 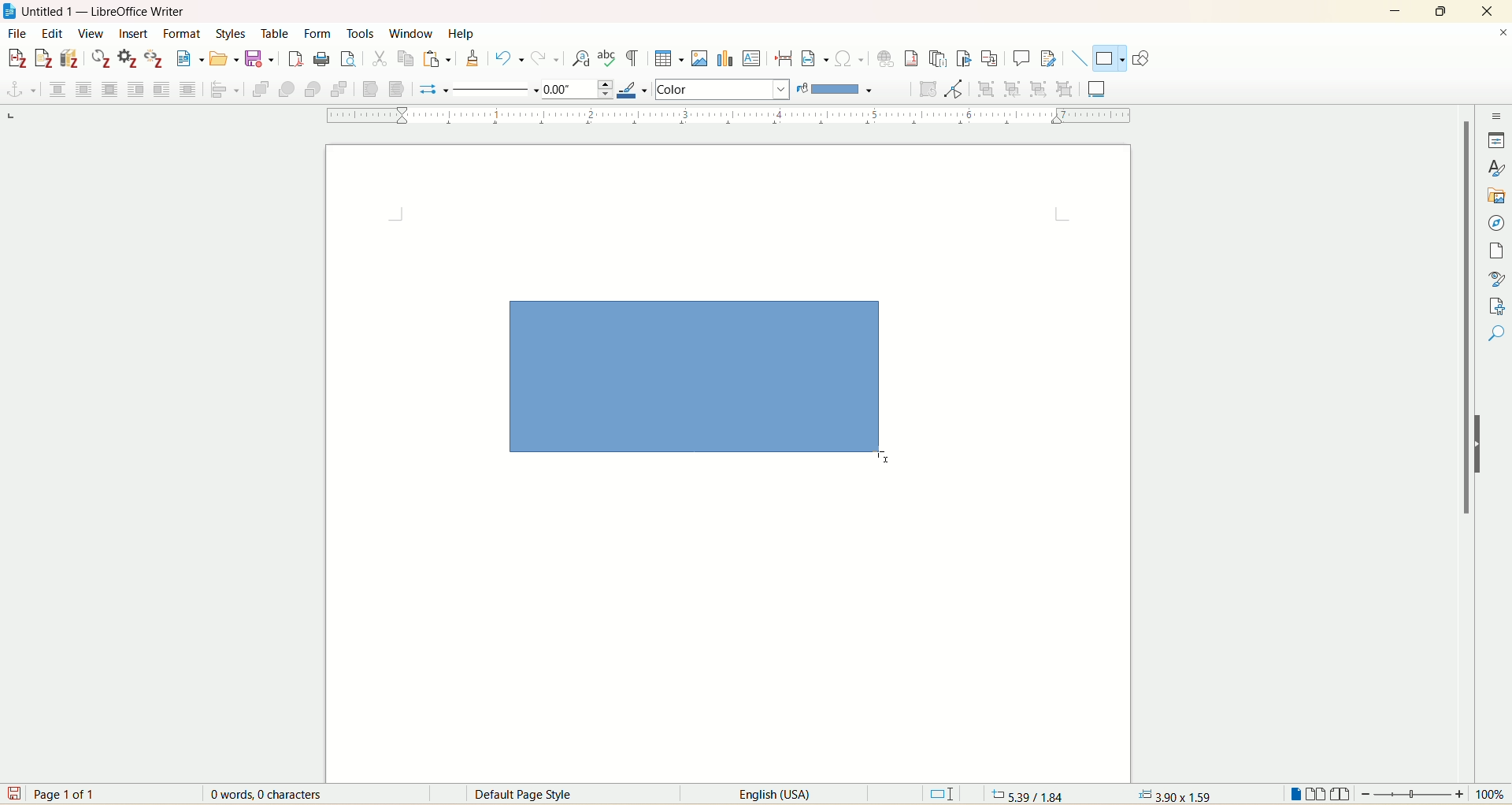 What do you see at coordinates (1048, 57) in the screenshot?
I see `track changes` at bounding box center [1048, 57].